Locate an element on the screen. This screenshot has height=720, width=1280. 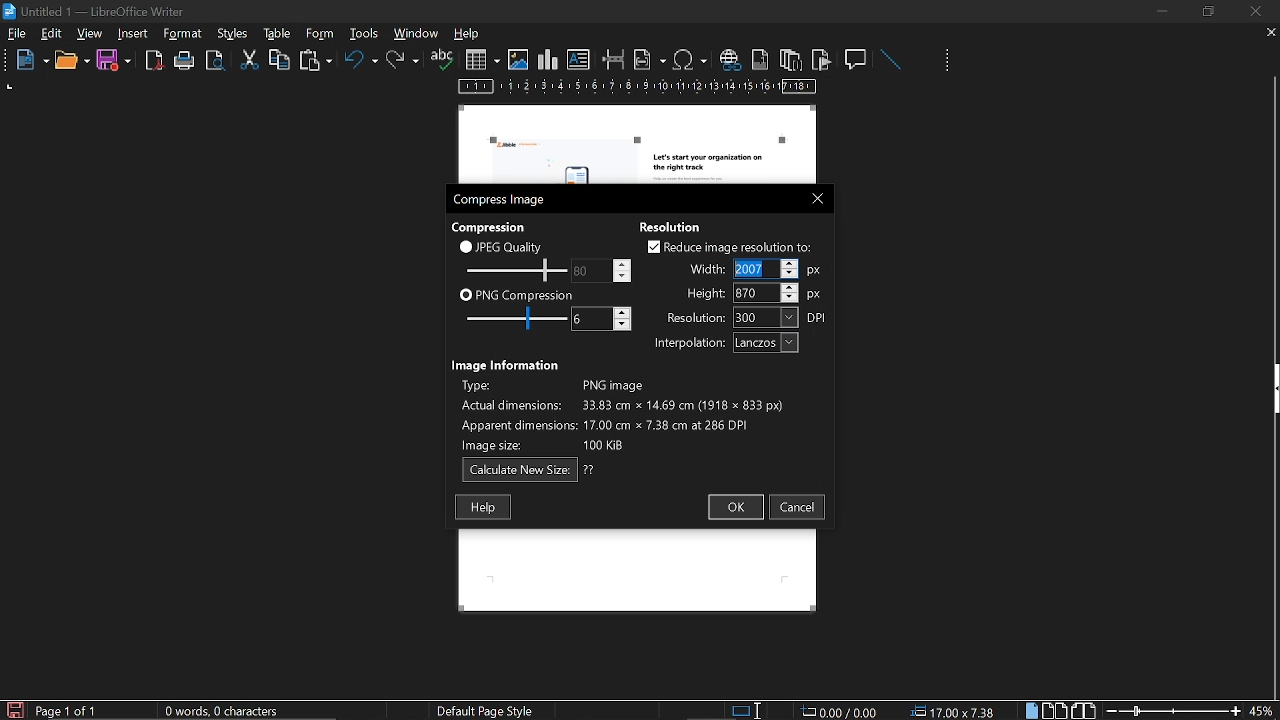
format is located at coordinates (231, 32).